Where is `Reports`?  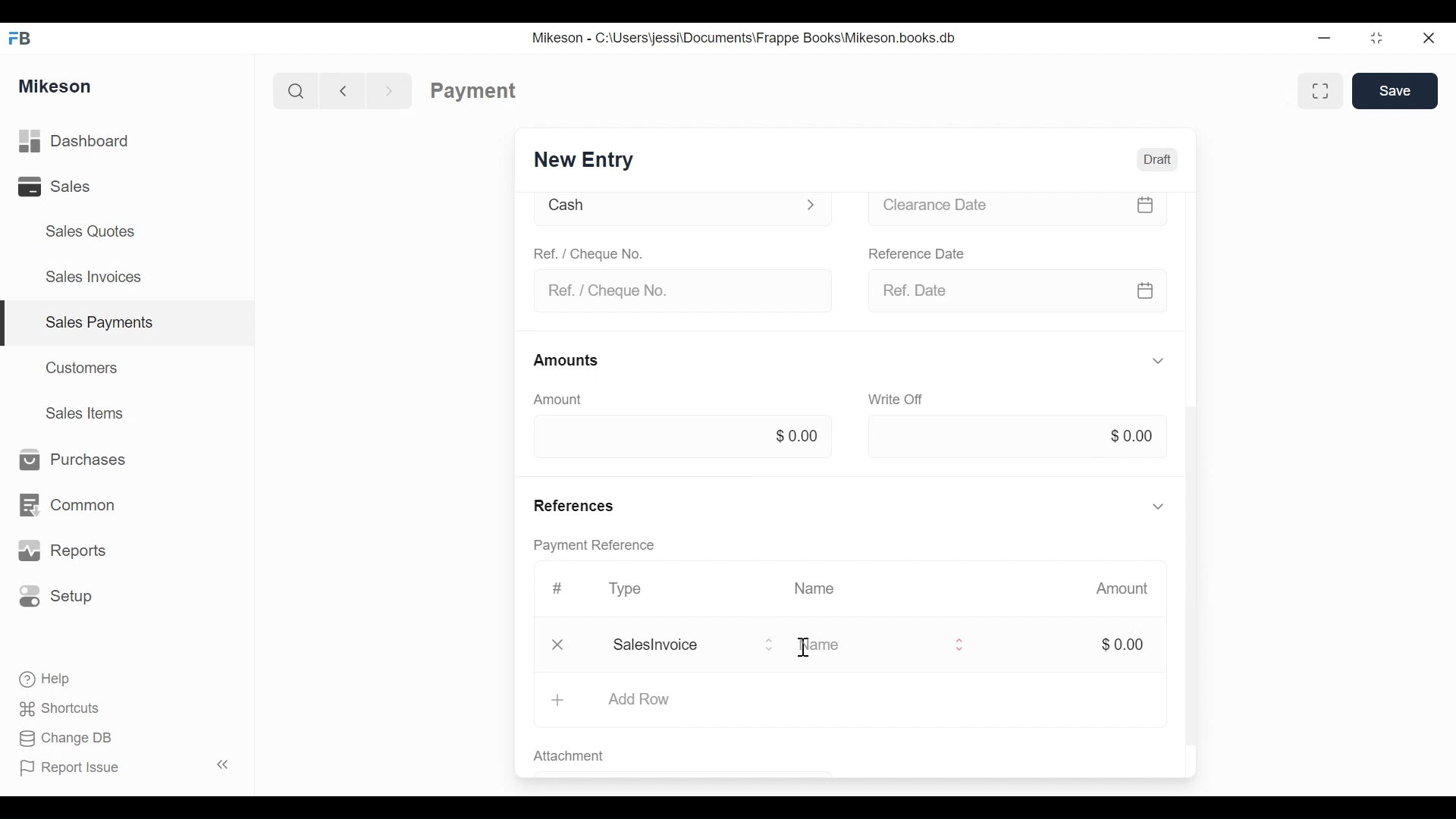 Reports is located at coordinates (65, 551).